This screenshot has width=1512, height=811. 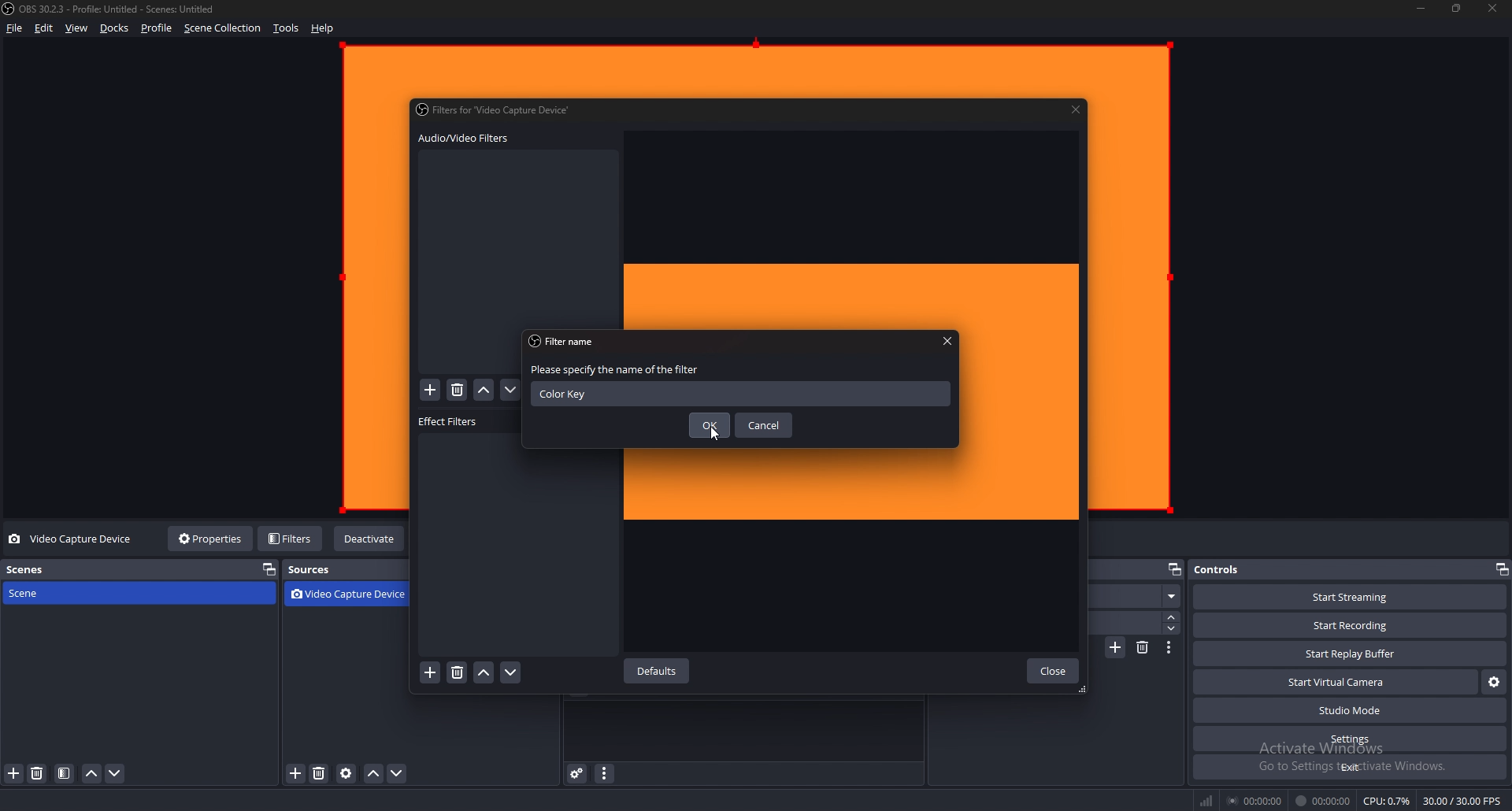 I want to click on cancel, so click(x=764, y=424).